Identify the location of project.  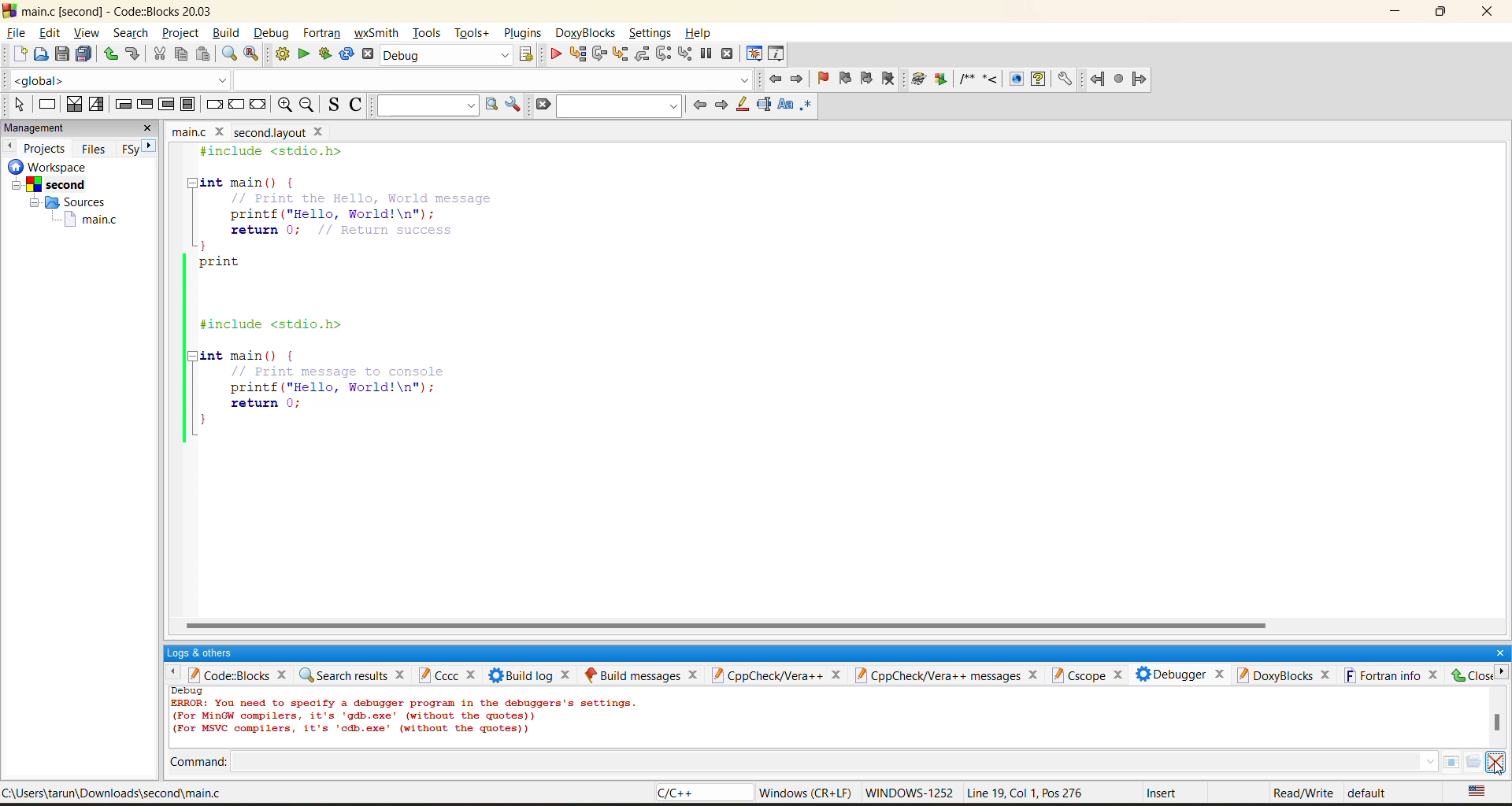
(182, 33).